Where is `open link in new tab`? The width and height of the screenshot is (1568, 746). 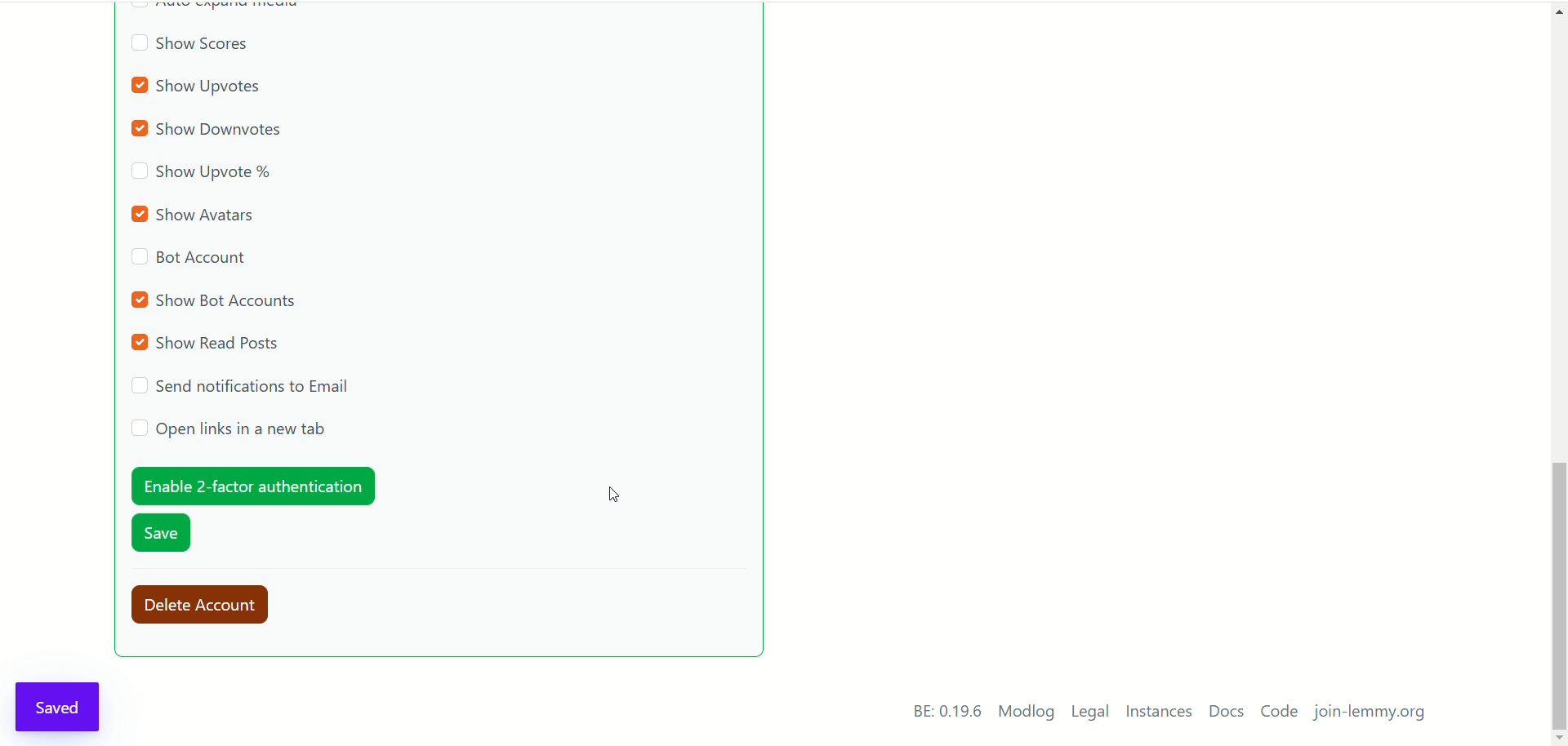
open link in new tab is located at coordinates (229, 429).